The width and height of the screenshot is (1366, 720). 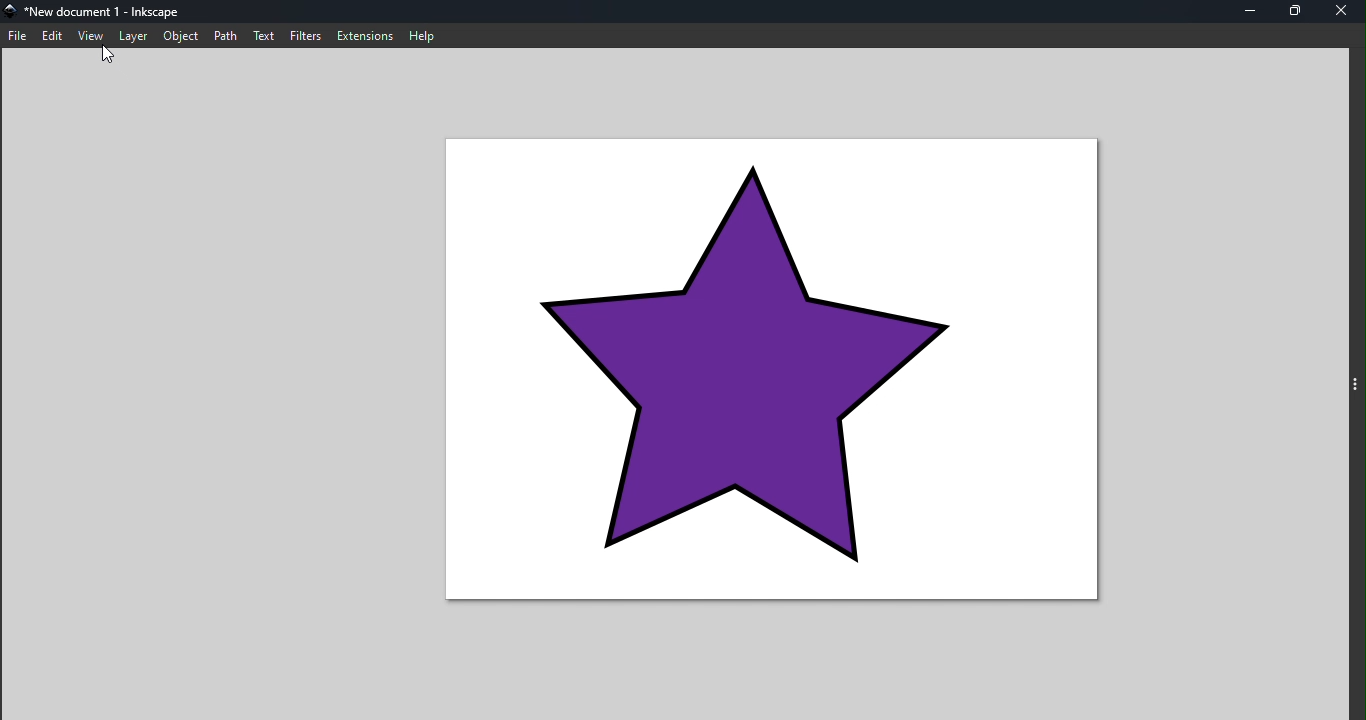 I want to click on Help, so click(x=422, y=35).